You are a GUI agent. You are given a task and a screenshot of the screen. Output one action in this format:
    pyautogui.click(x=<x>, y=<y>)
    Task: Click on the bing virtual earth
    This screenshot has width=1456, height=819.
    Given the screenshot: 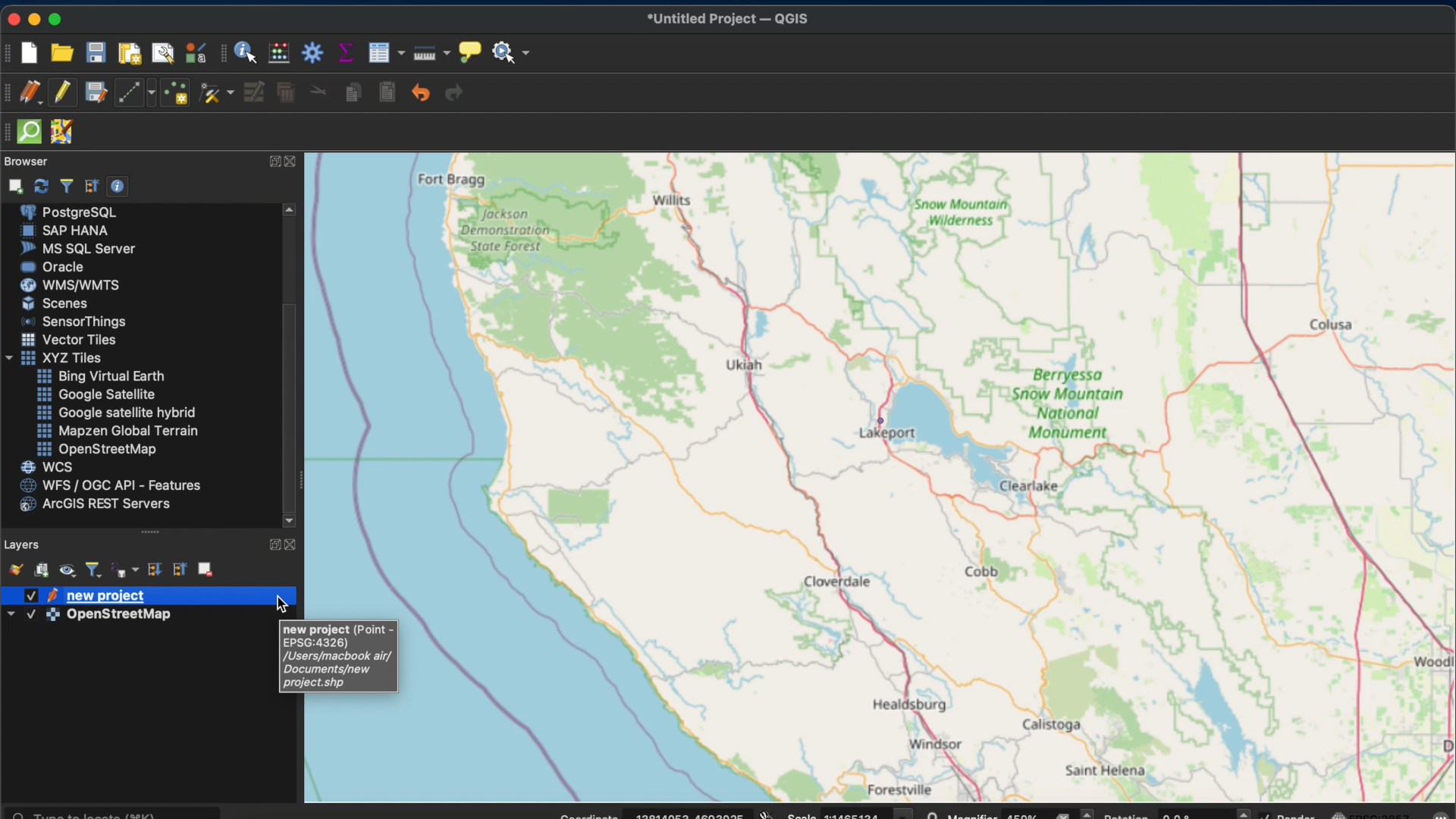 What is the action you would take?
    pyautogui.click(x=99, y=376)
    